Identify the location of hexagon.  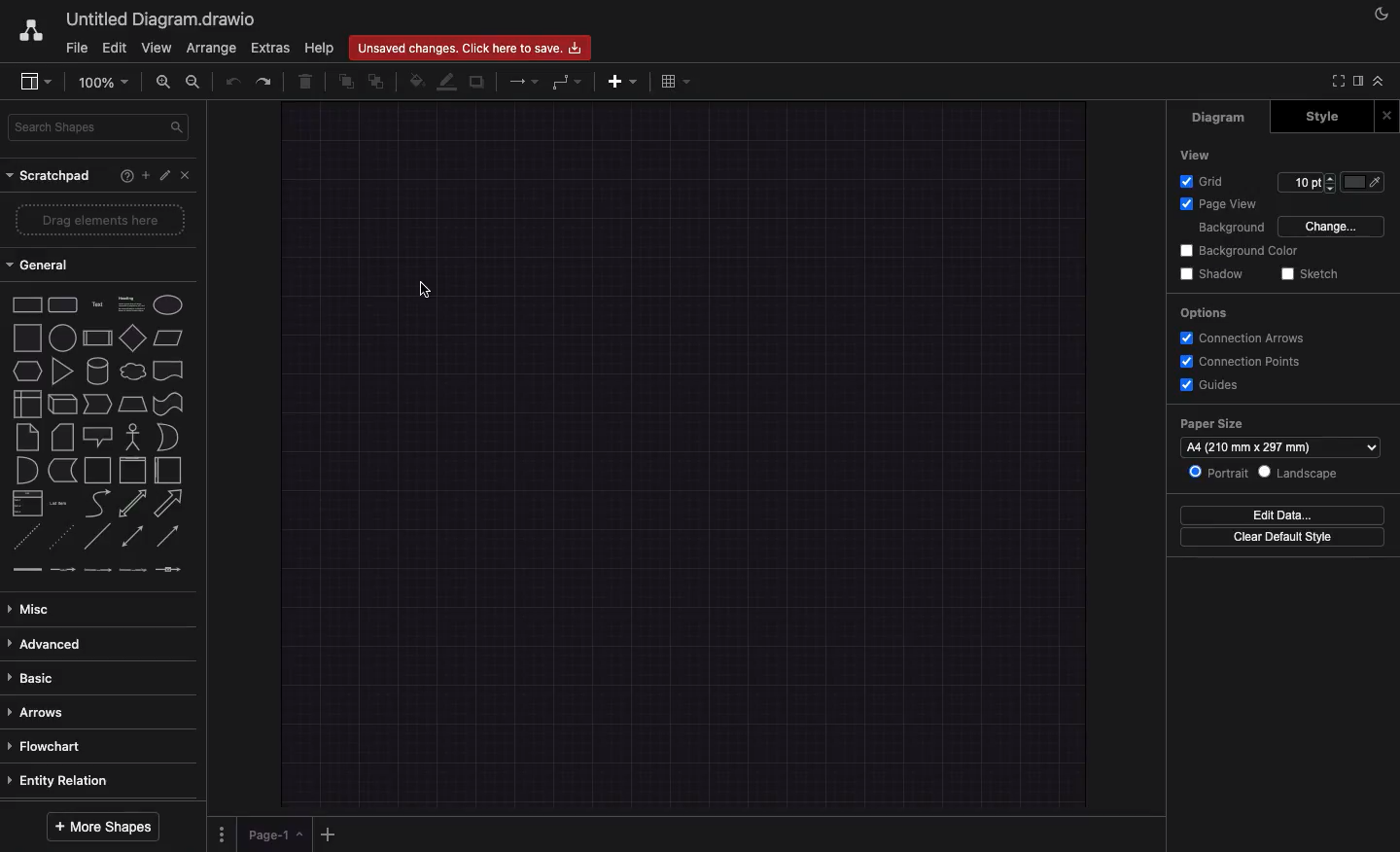
(27, 372).